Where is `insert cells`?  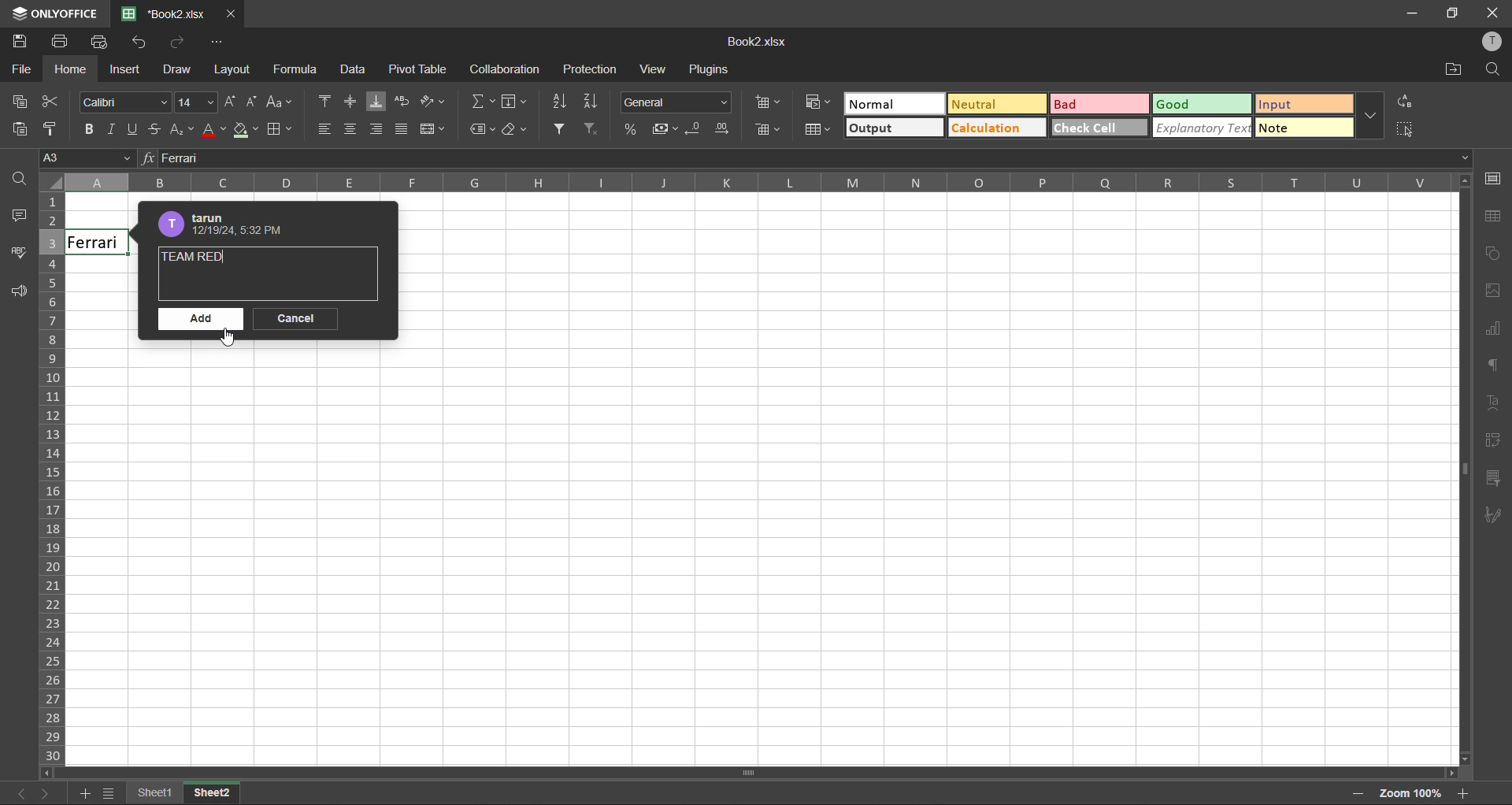
insert cells is located at coordinates (768, 101).